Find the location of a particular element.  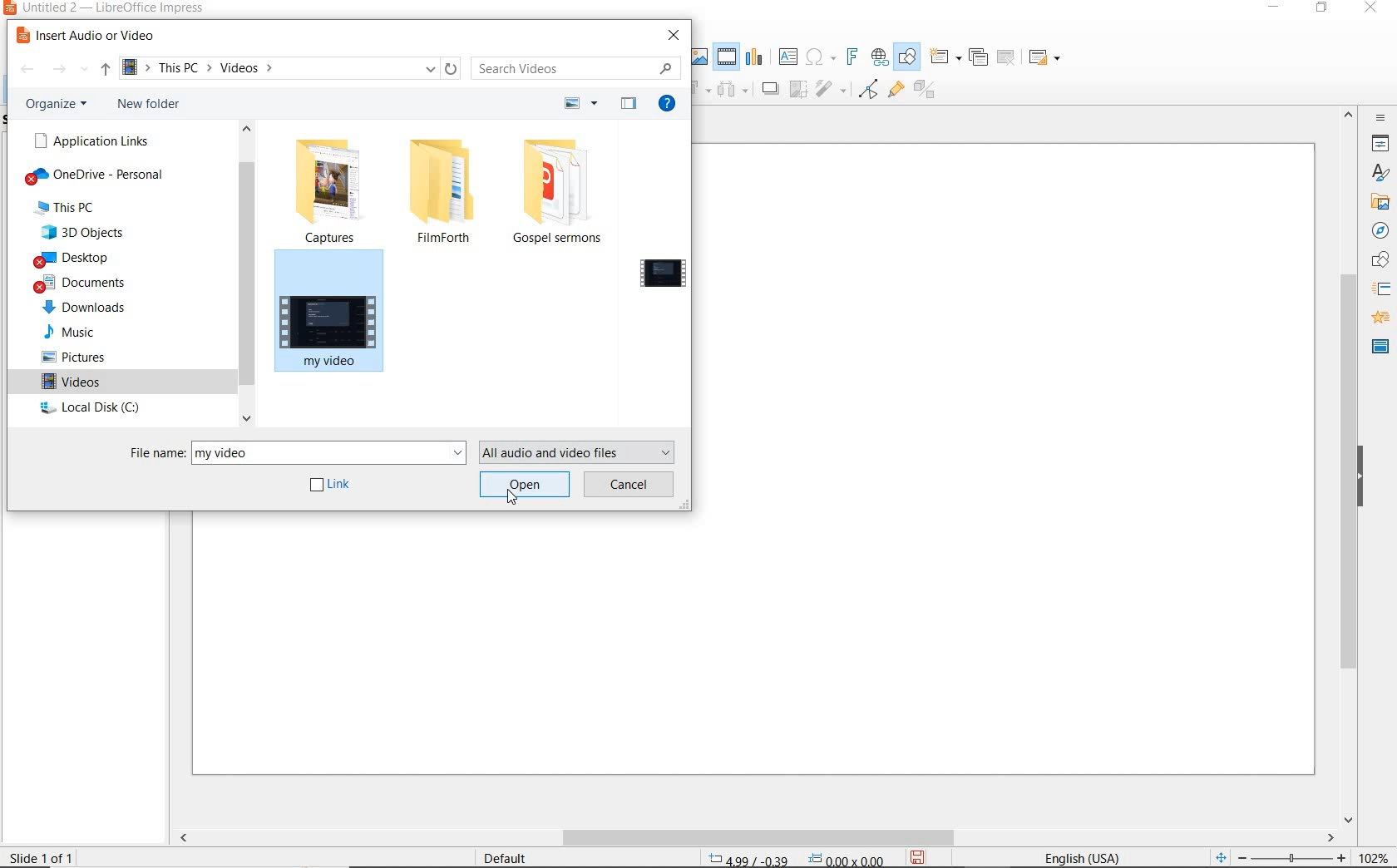

documents is located at coordinates (84, 284).